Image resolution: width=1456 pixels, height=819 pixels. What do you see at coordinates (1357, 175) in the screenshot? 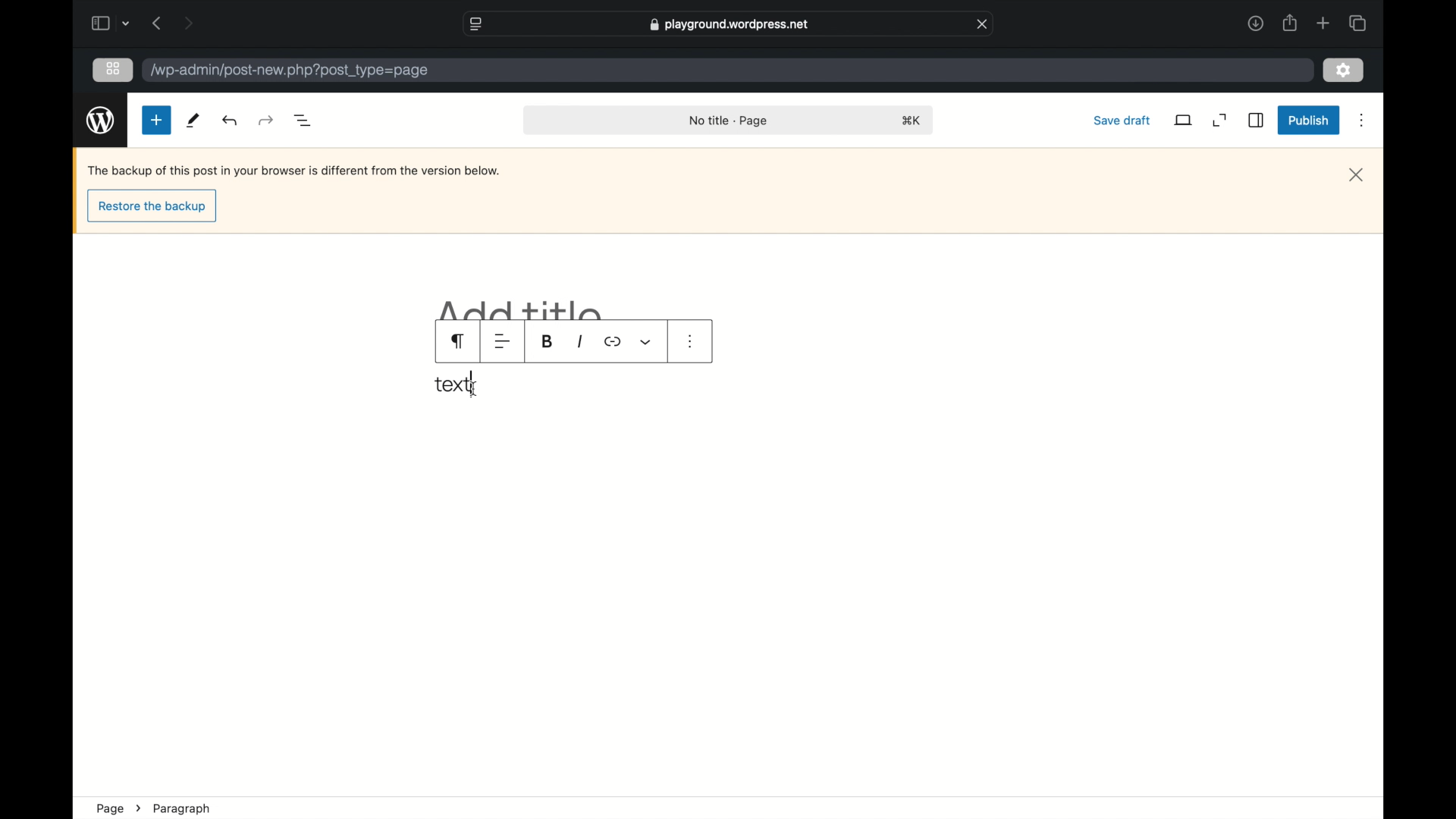
I see `close` at bounding box center [1357, 175].